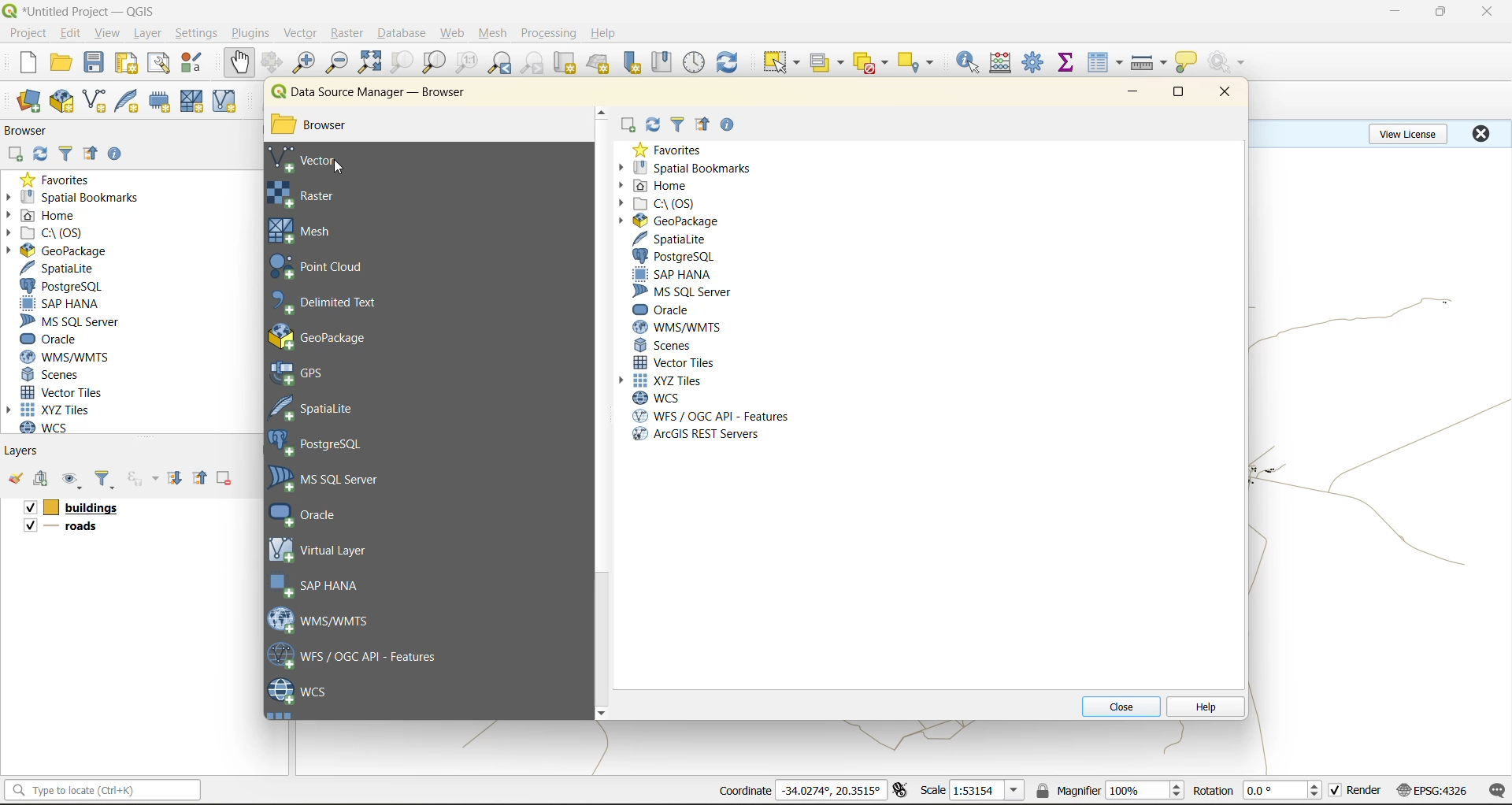  I want to click on browser, so click(32, 133).